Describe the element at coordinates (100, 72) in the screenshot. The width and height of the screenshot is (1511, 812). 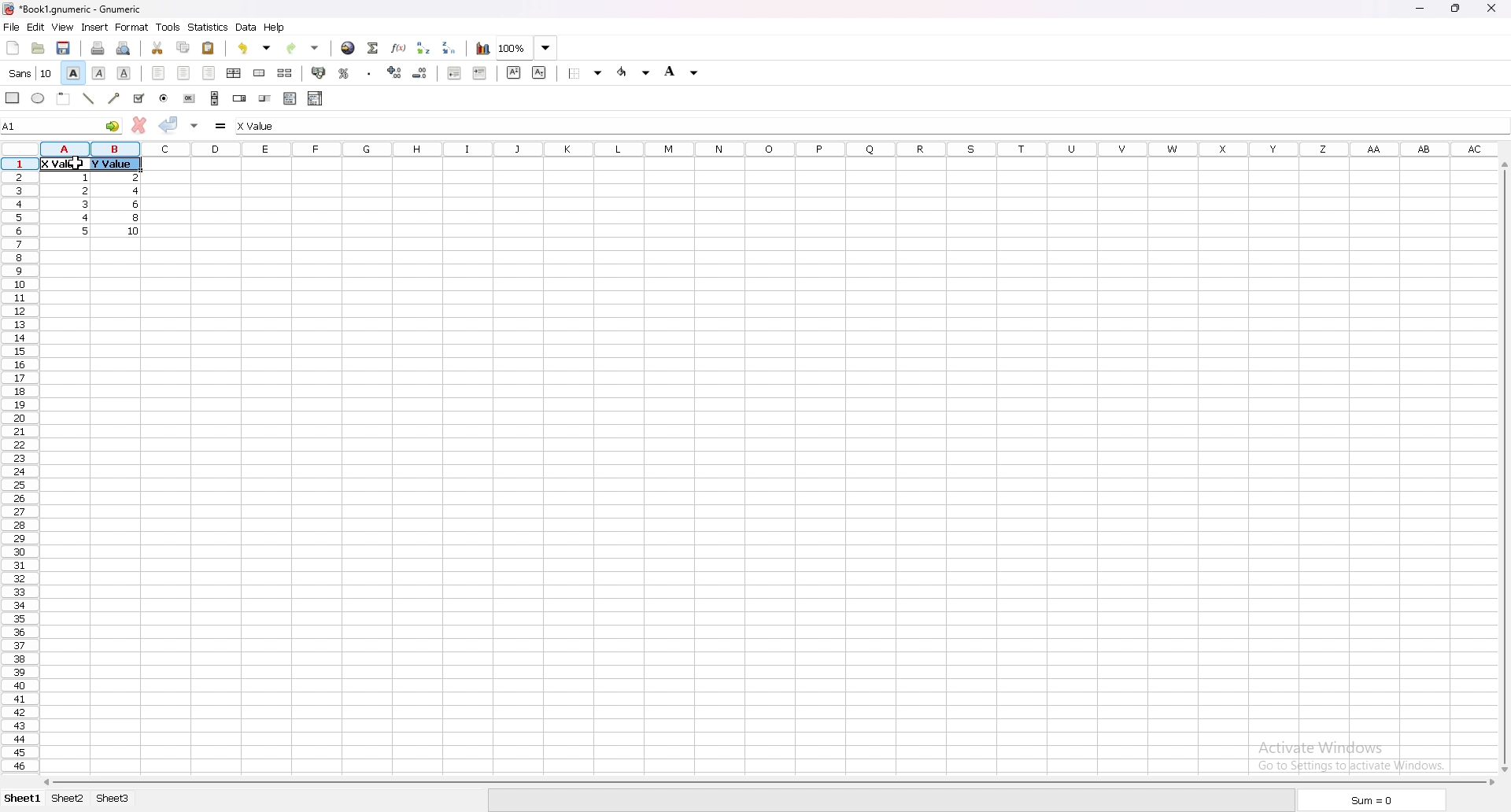
I see `italic` at that location.